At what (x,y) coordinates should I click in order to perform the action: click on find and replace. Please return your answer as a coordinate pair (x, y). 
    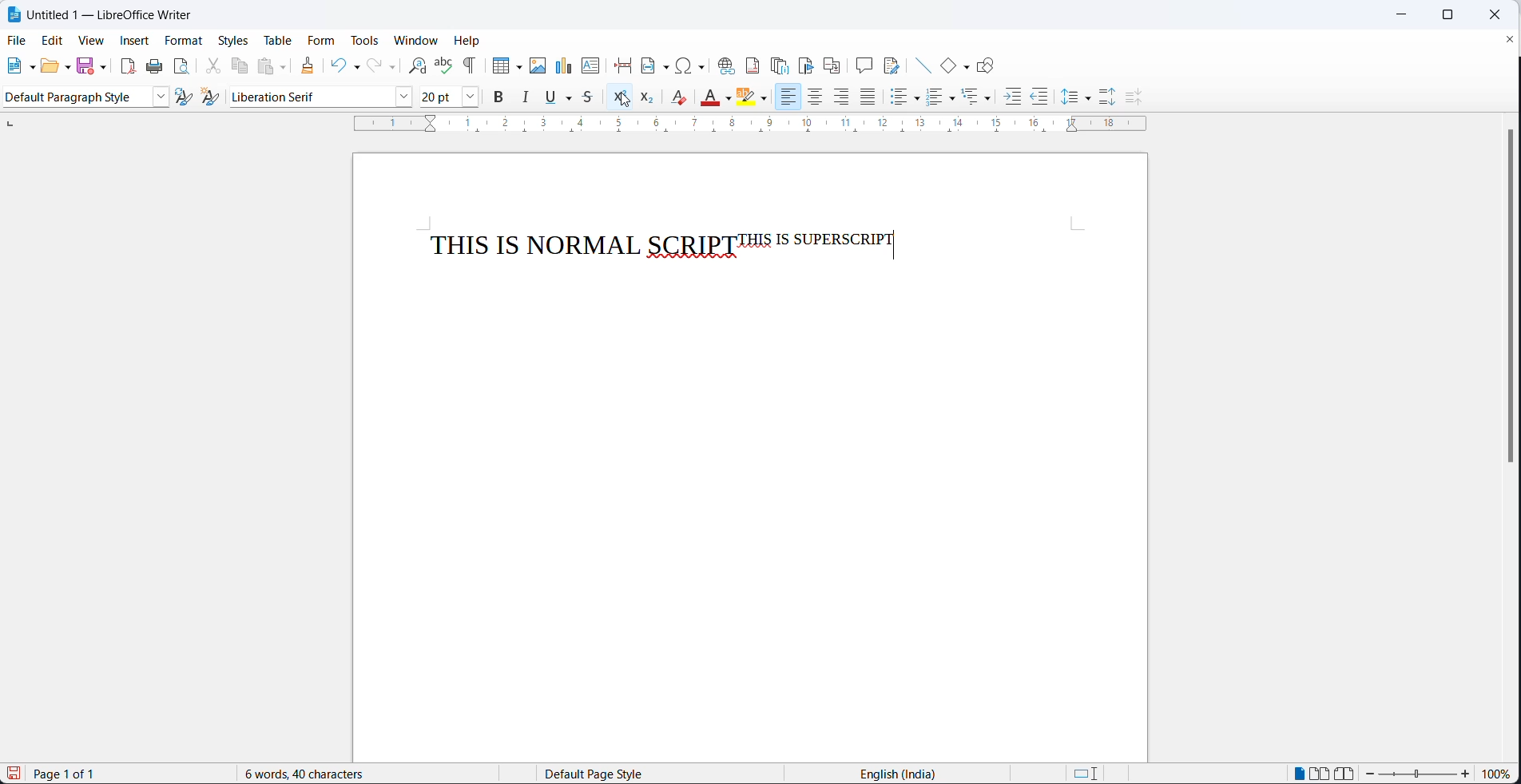
    Looking at the image, I should click on (414, 65).